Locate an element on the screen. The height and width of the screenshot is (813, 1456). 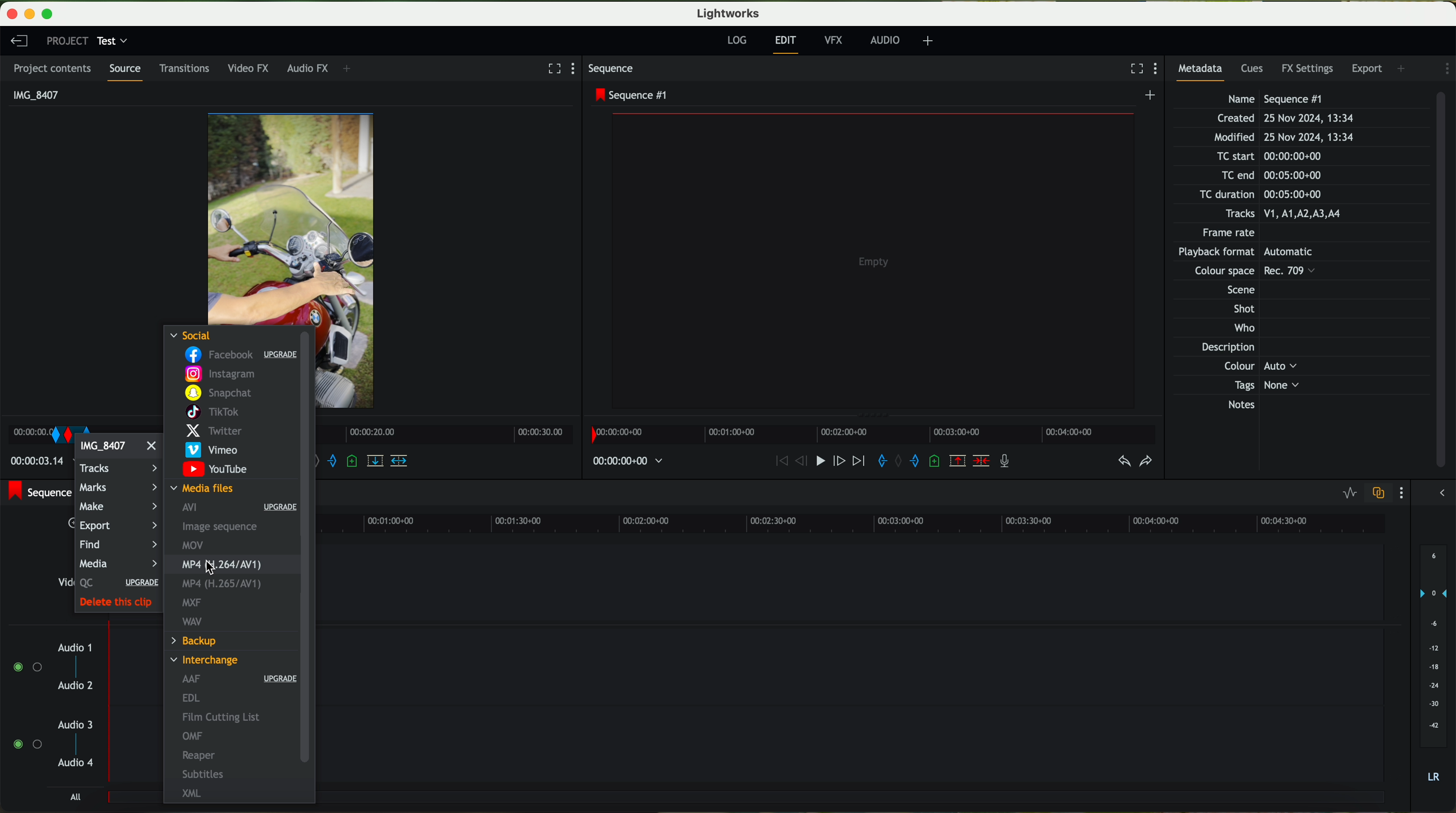
transitions is located at coordinates (187, 68).